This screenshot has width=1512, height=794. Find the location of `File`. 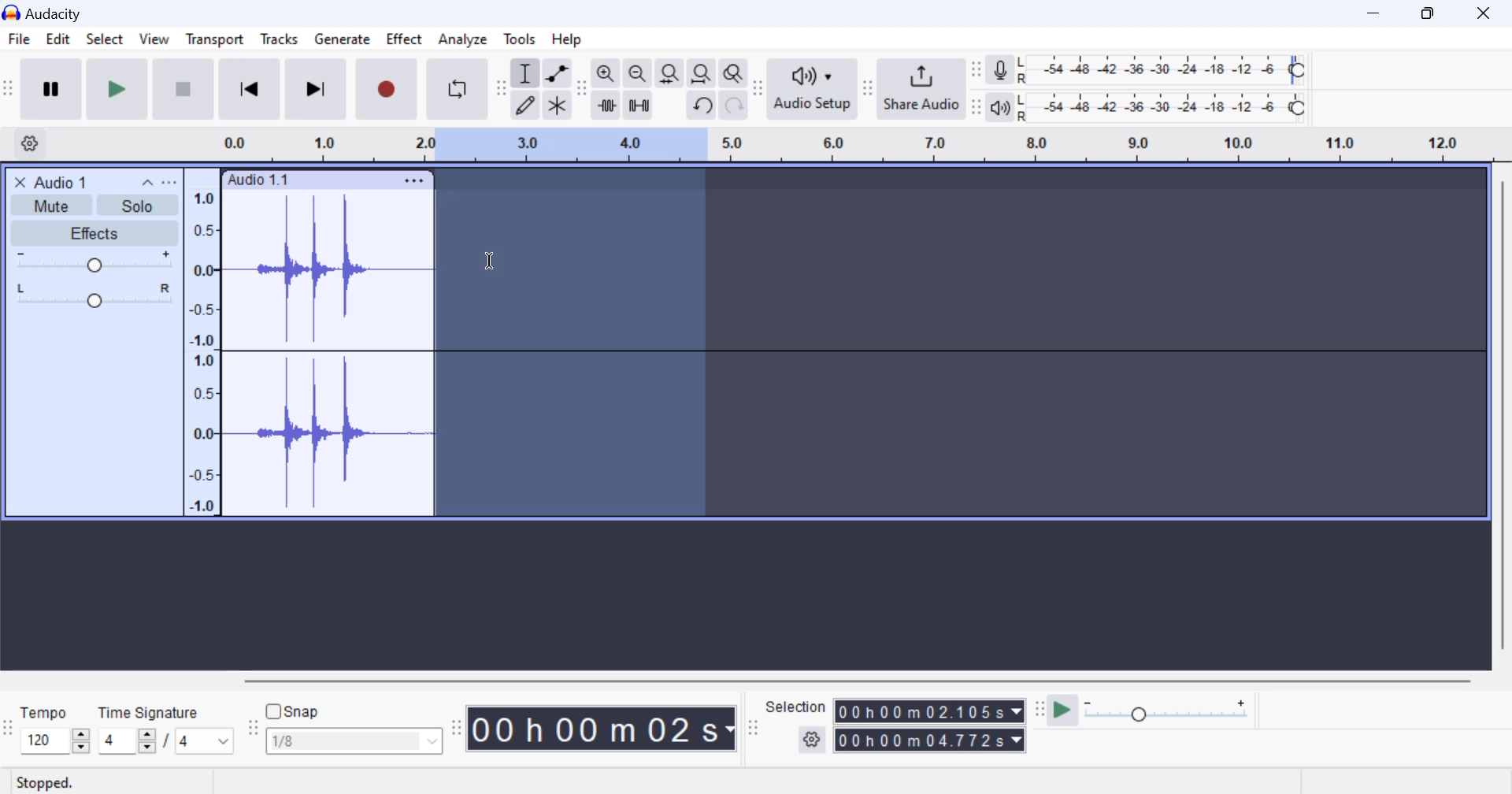

File is located at coordinates (18, 39).